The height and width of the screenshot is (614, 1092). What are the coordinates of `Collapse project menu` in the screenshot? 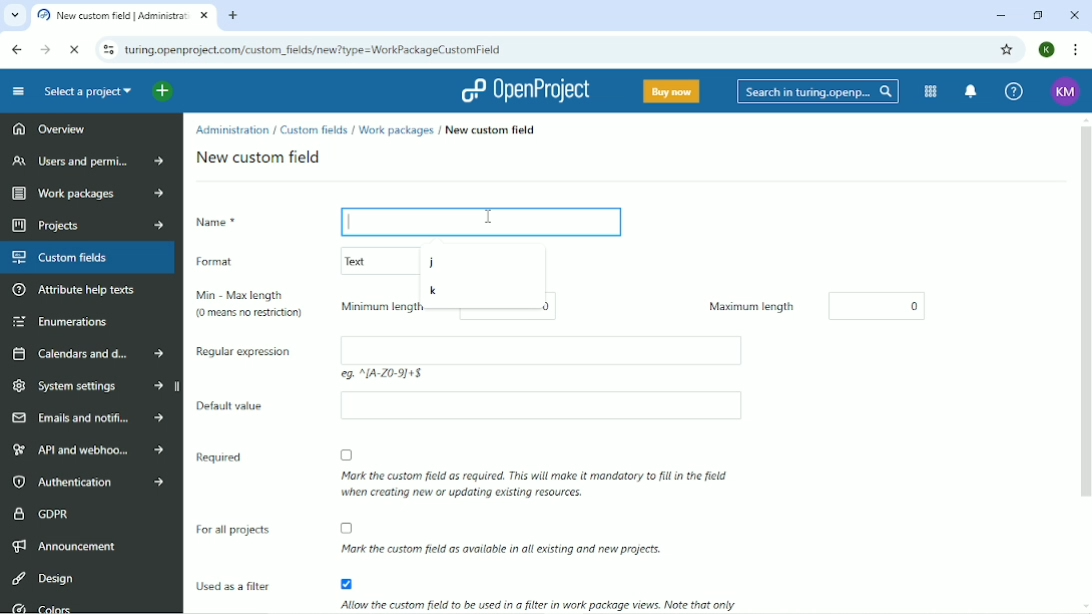 It's located at (18, 91).